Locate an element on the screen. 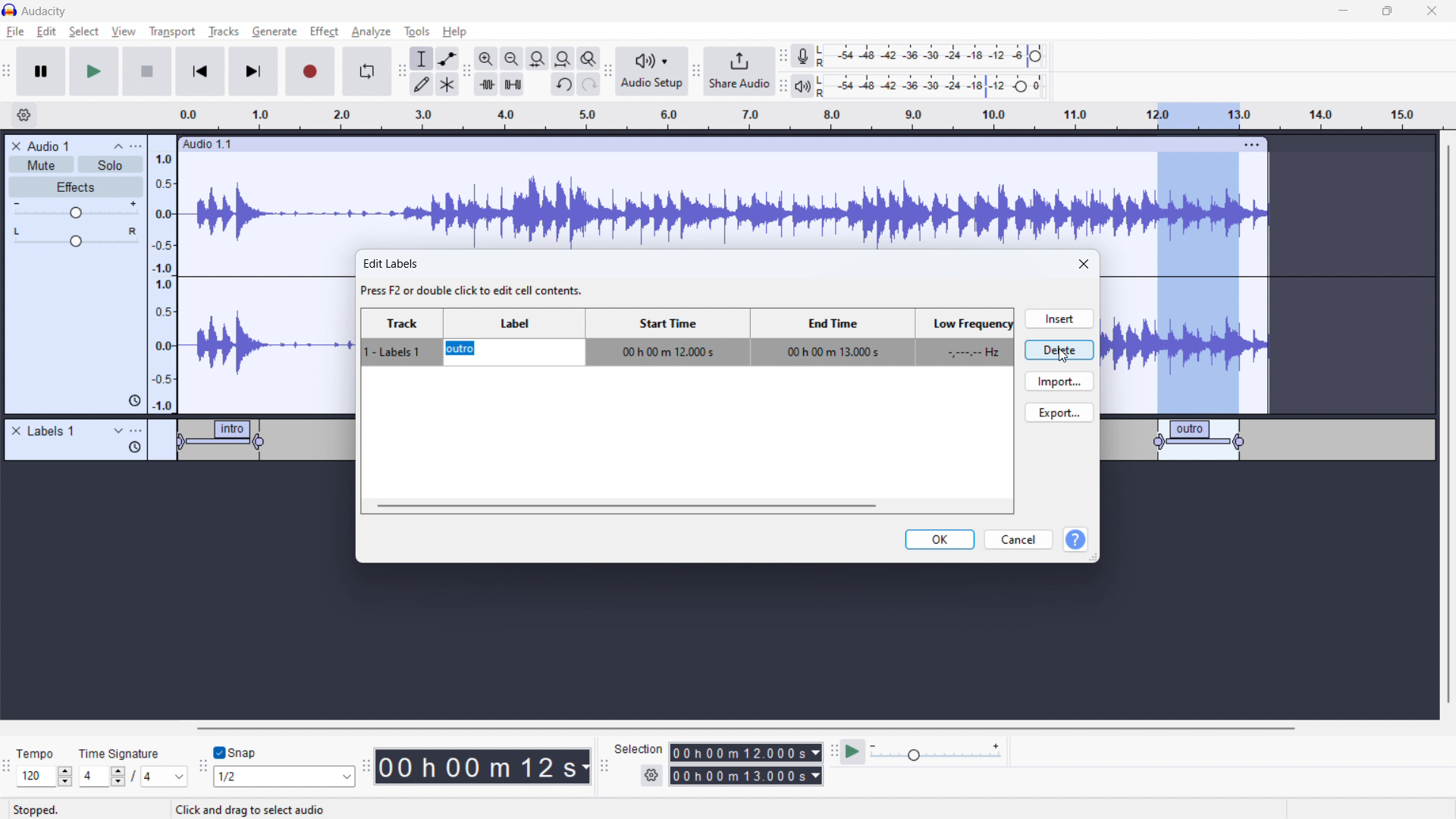 The height and width of the screenshot is (819, 1456). playback level is located at coordinates (942, 85).